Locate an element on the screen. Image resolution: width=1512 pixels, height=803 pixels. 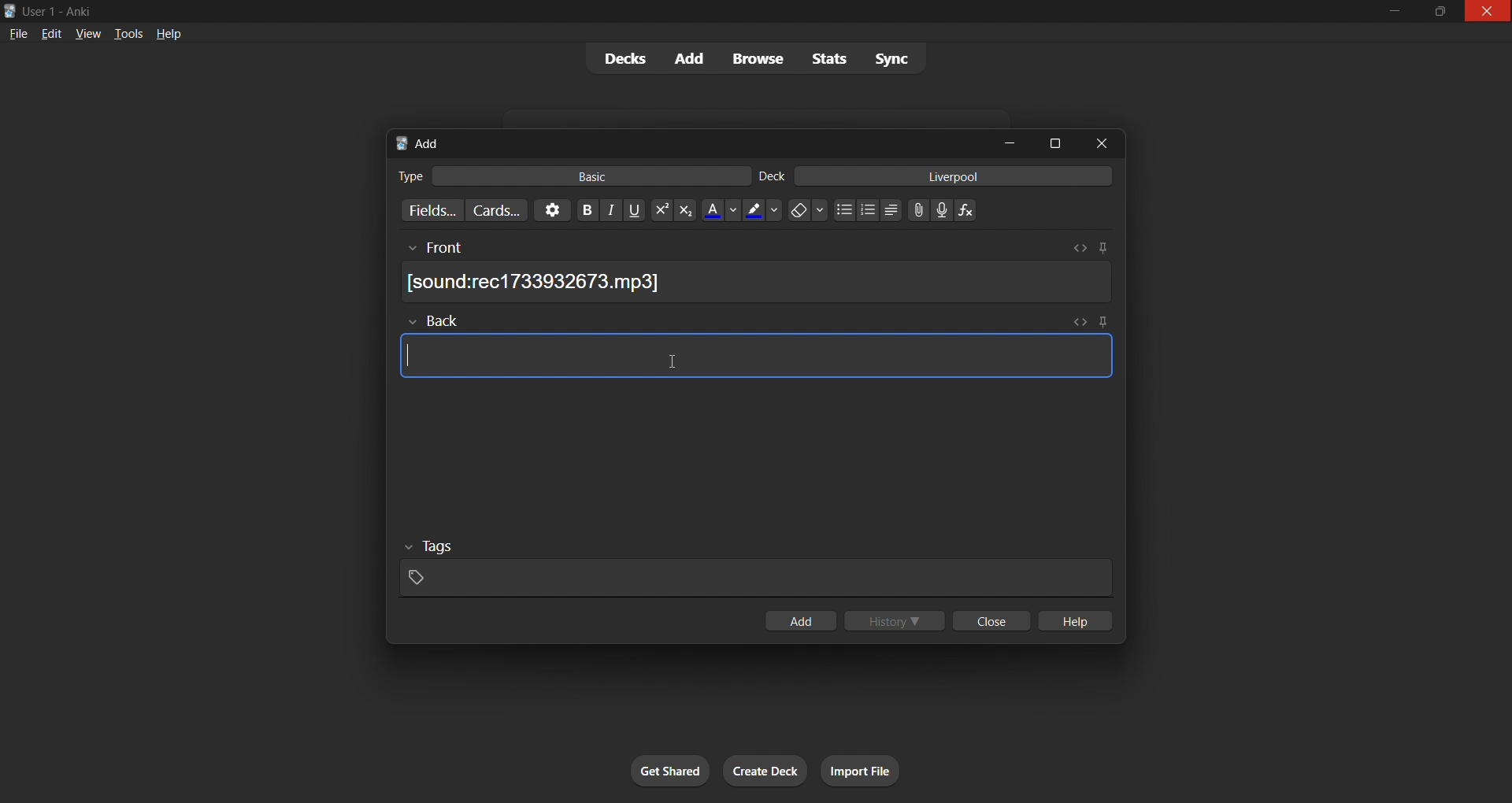
basic card type is located at coordinates (599, 176).